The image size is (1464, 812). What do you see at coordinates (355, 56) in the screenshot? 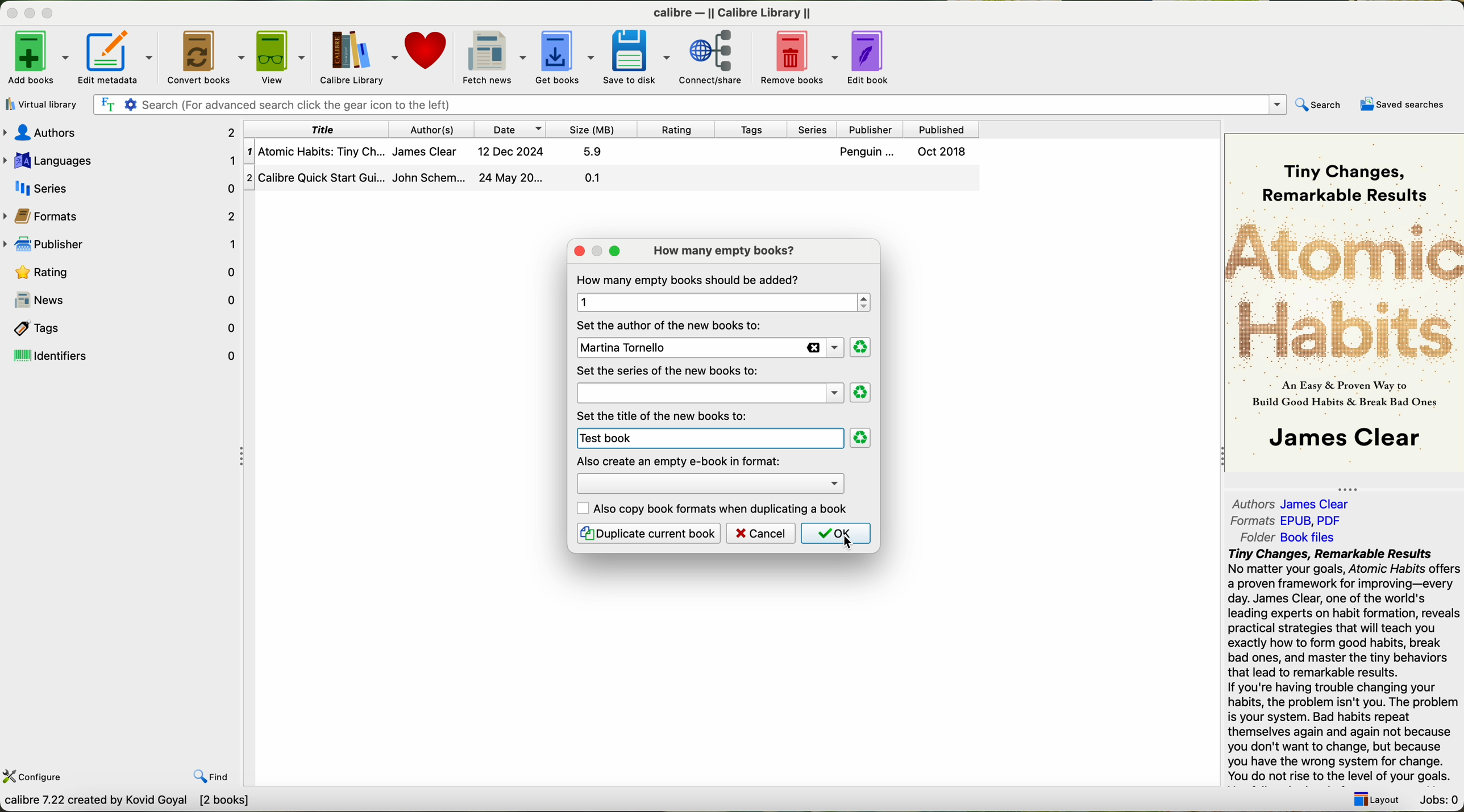
I see `calibre library` at bounding box center [355, 56].